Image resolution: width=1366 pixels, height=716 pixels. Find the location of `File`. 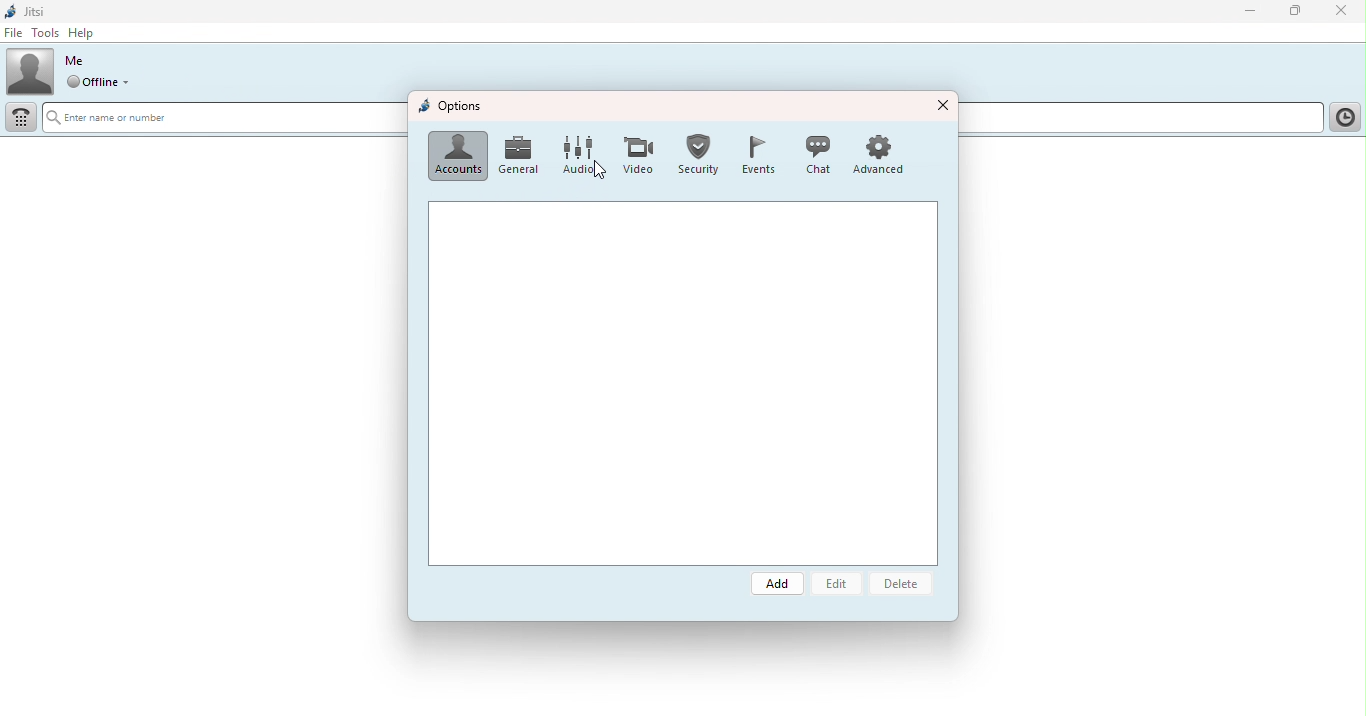

File is located at coordinates (14, 33).